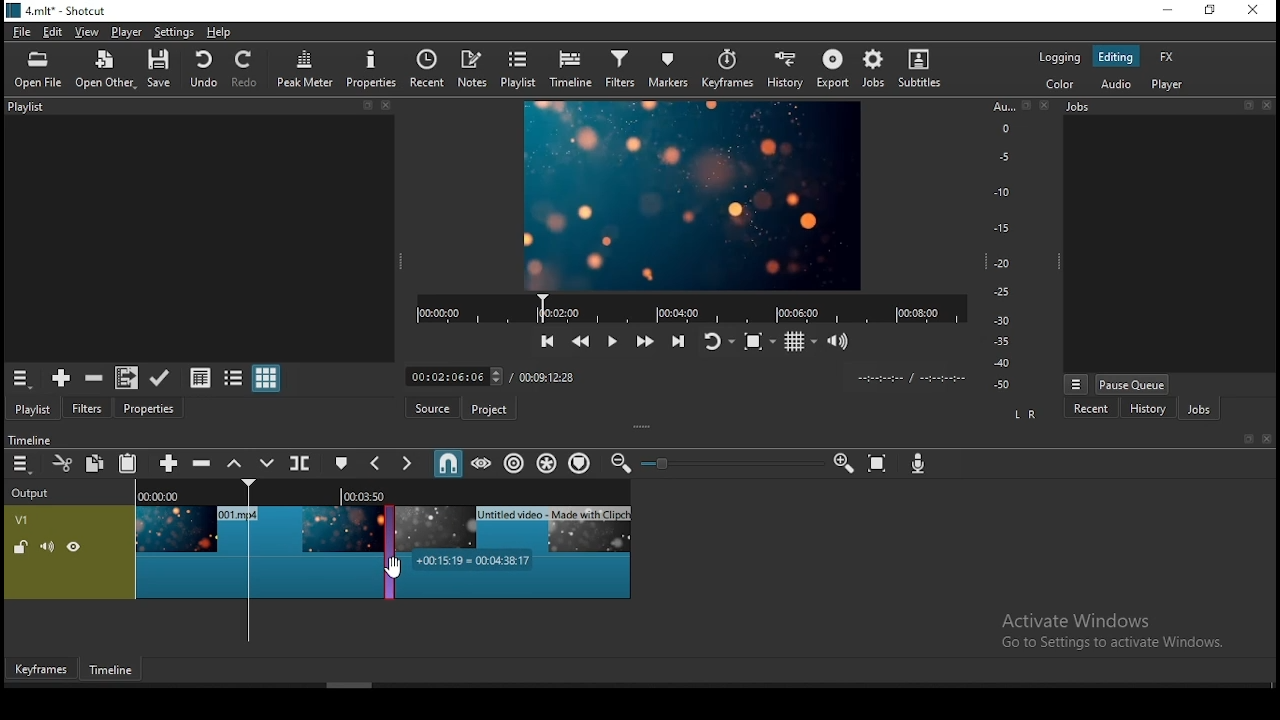 The width and height of the screenshot is (1280, 720). Describe the element at coordinates (267, 463) in the screenshot. I see `overwrite` at that location.